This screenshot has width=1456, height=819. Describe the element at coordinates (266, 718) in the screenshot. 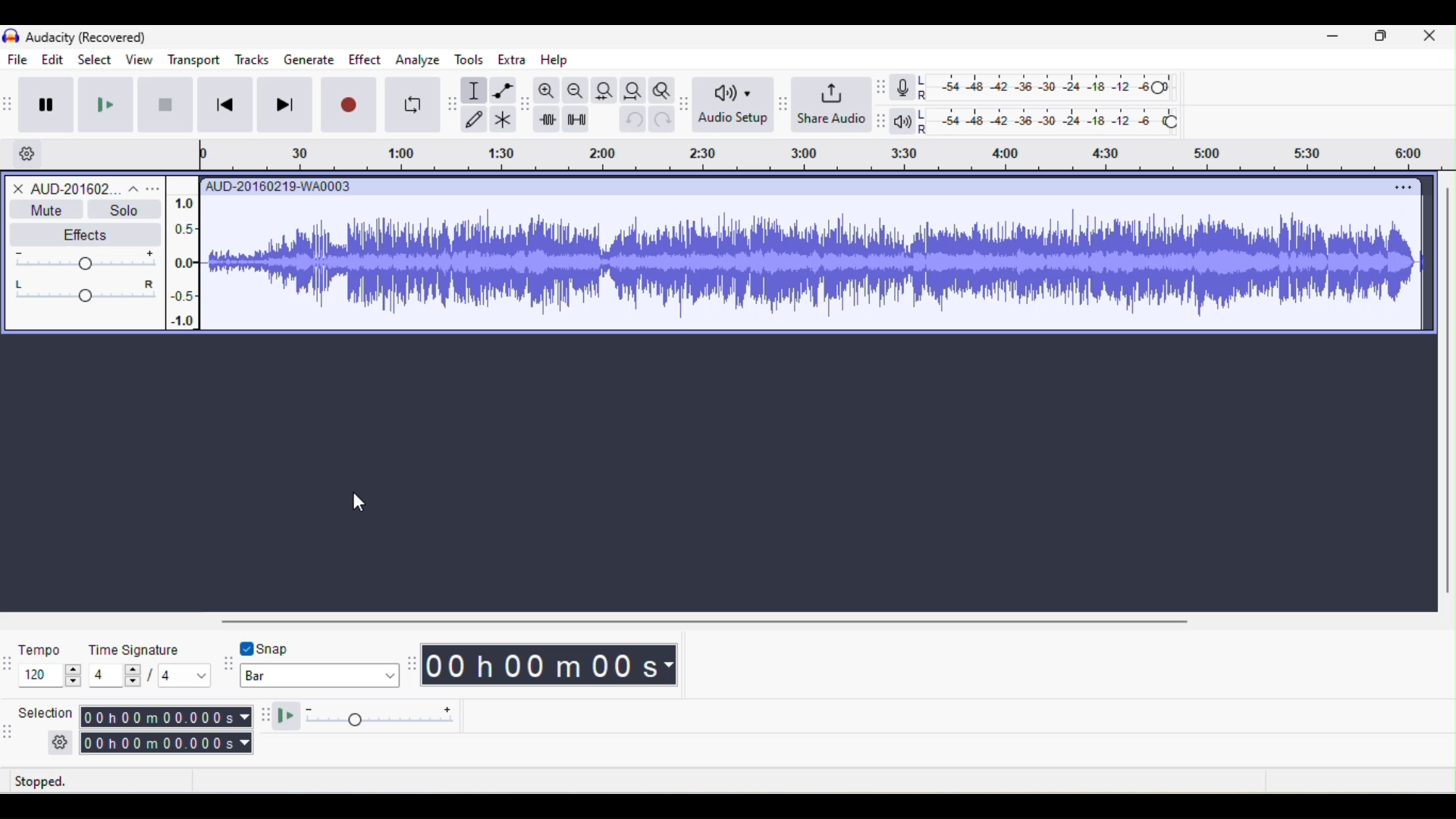

I see `audacity plat at speed` at that location.